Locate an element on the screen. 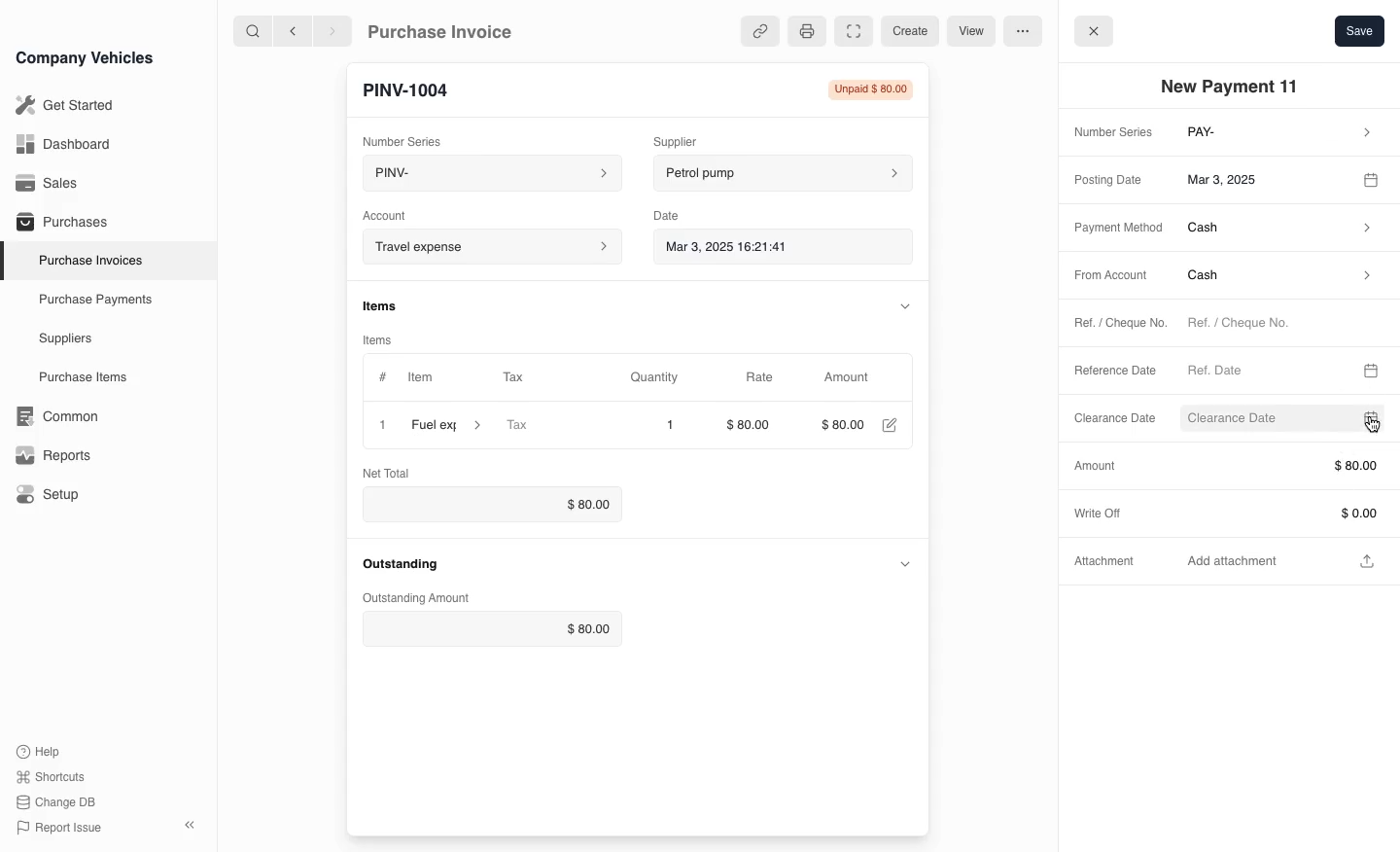  Help is located at coordinates (43, 751).